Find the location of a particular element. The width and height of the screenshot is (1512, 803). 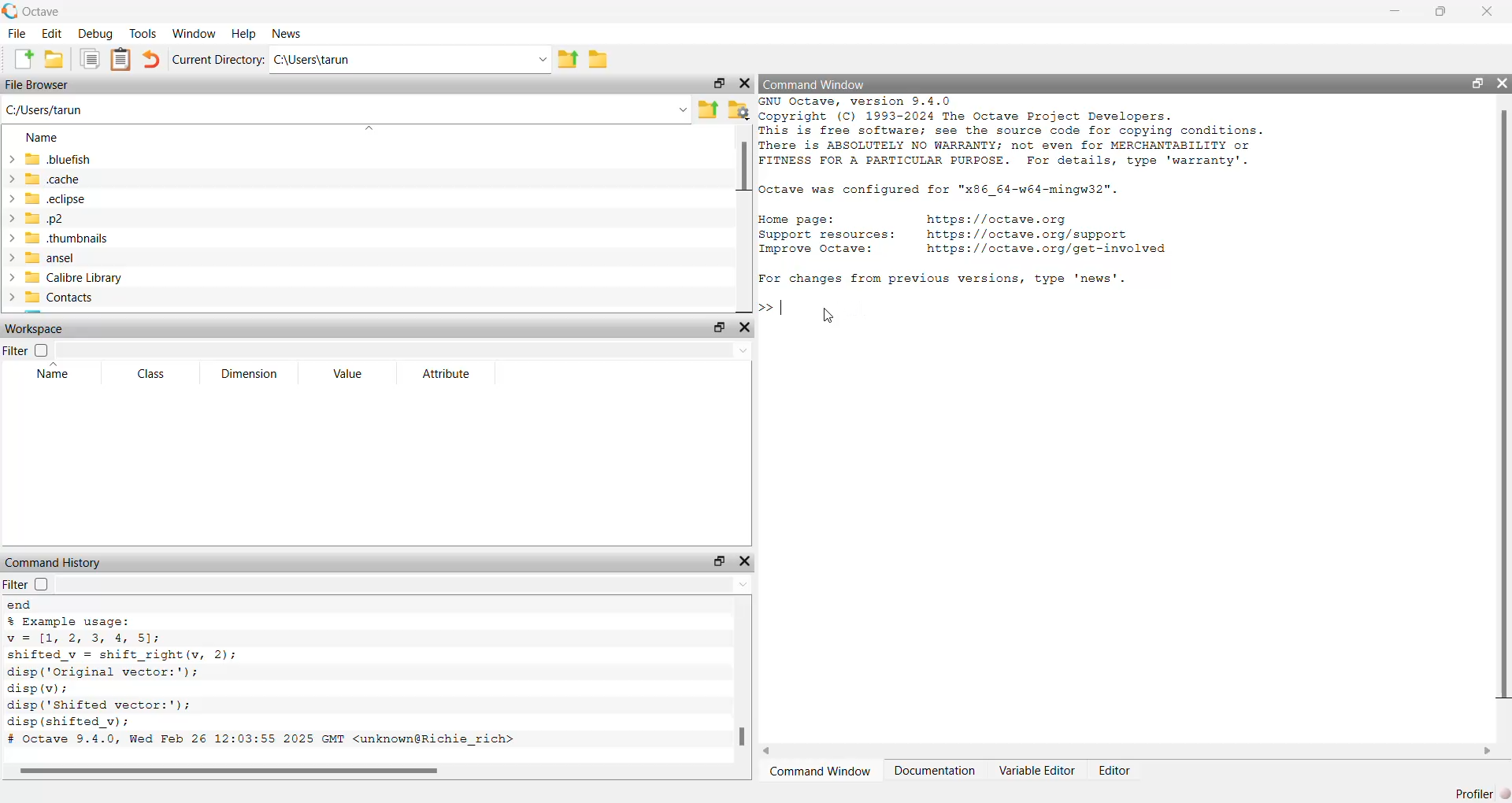

close is located at coordinates (1493, 11).